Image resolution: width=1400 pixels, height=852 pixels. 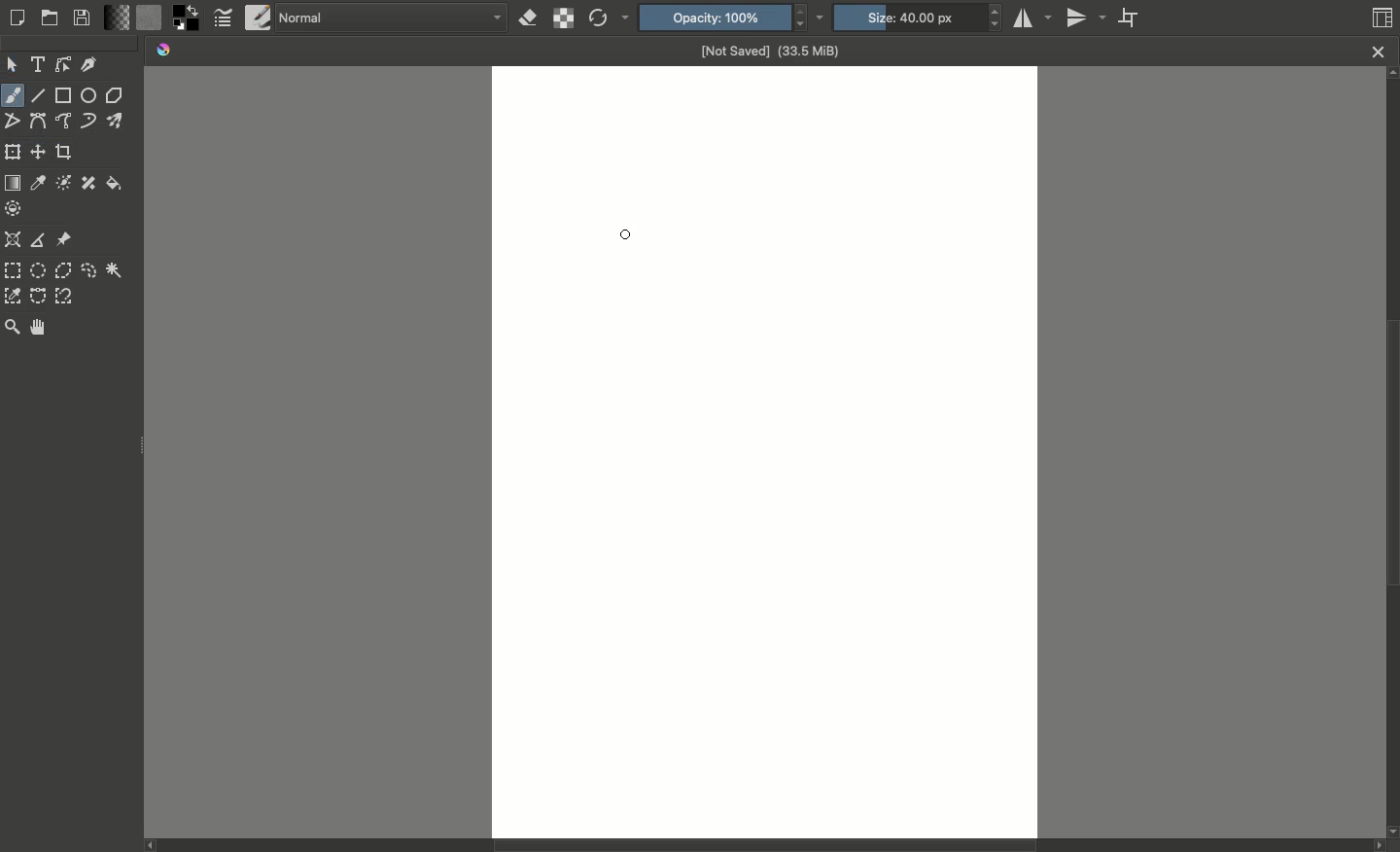 I want to click on Close, so click(x=1378, y=52).